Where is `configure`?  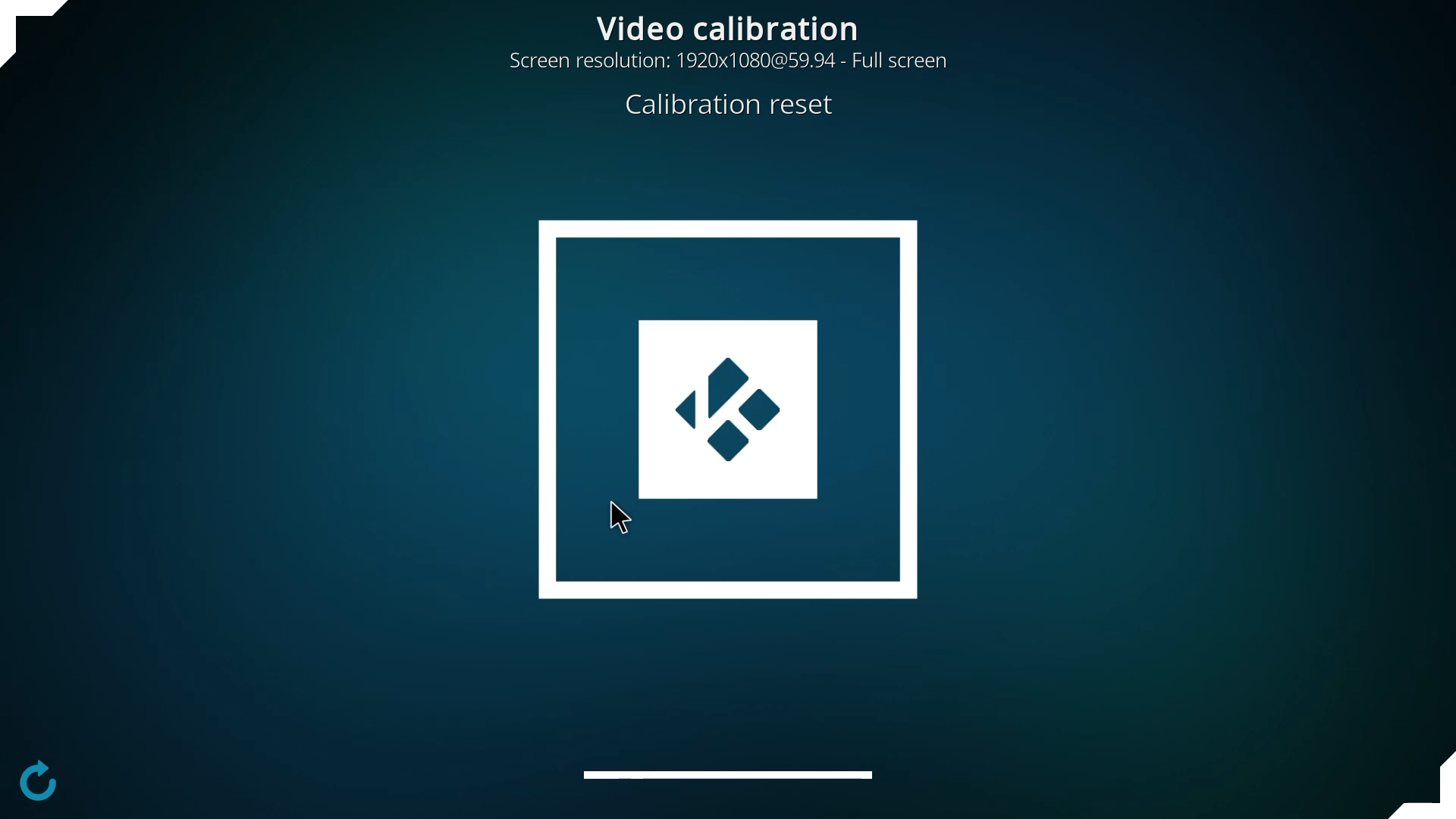
configure is located at coordinates (38, 783).